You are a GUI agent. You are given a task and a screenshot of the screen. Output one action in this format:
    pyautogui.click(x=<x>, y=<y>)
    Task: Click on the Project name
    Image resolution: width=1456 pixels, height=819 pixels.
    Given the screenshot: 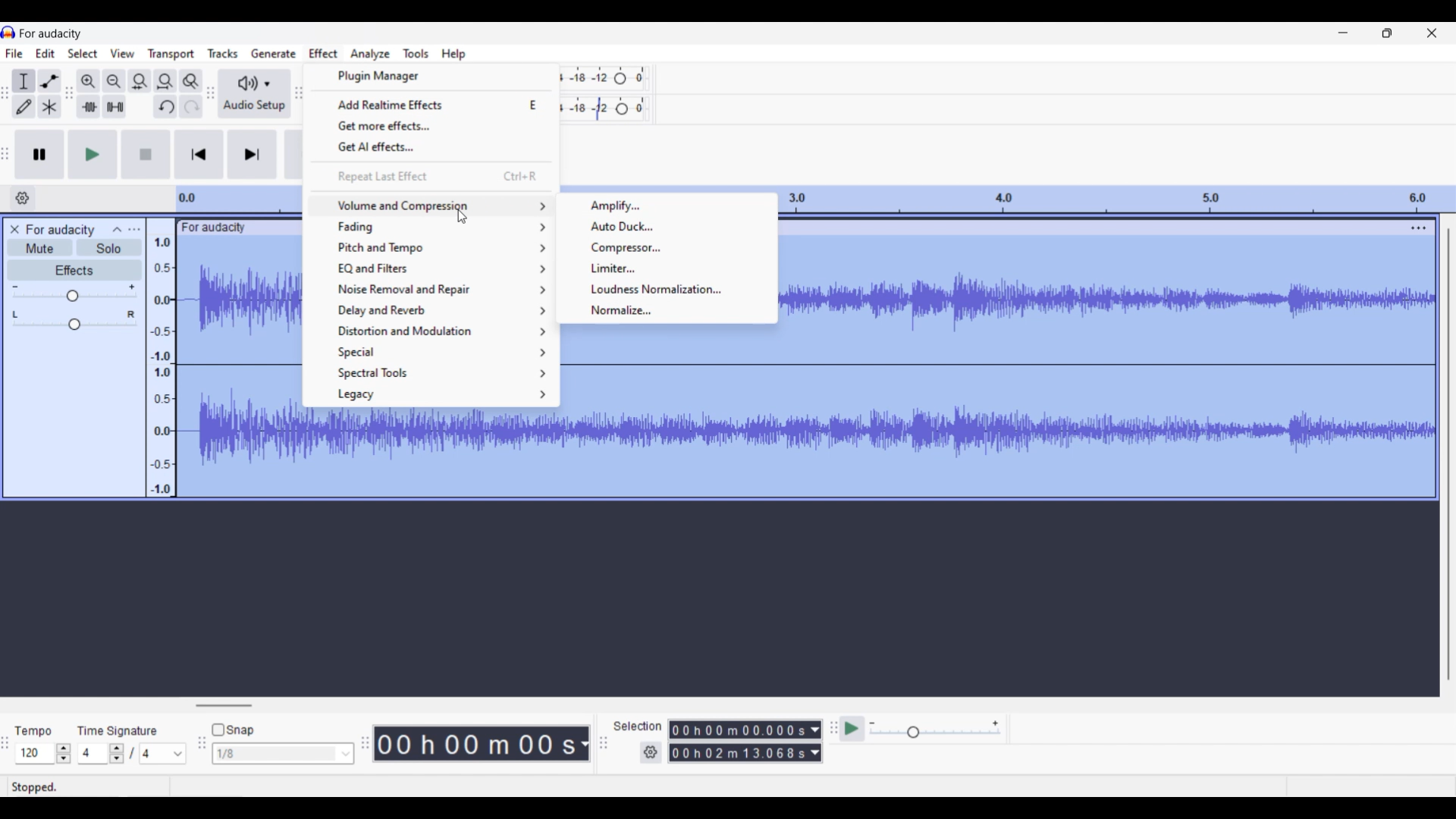 What is the action you would take?
    pyautogui.click(x=50, y=34)
    